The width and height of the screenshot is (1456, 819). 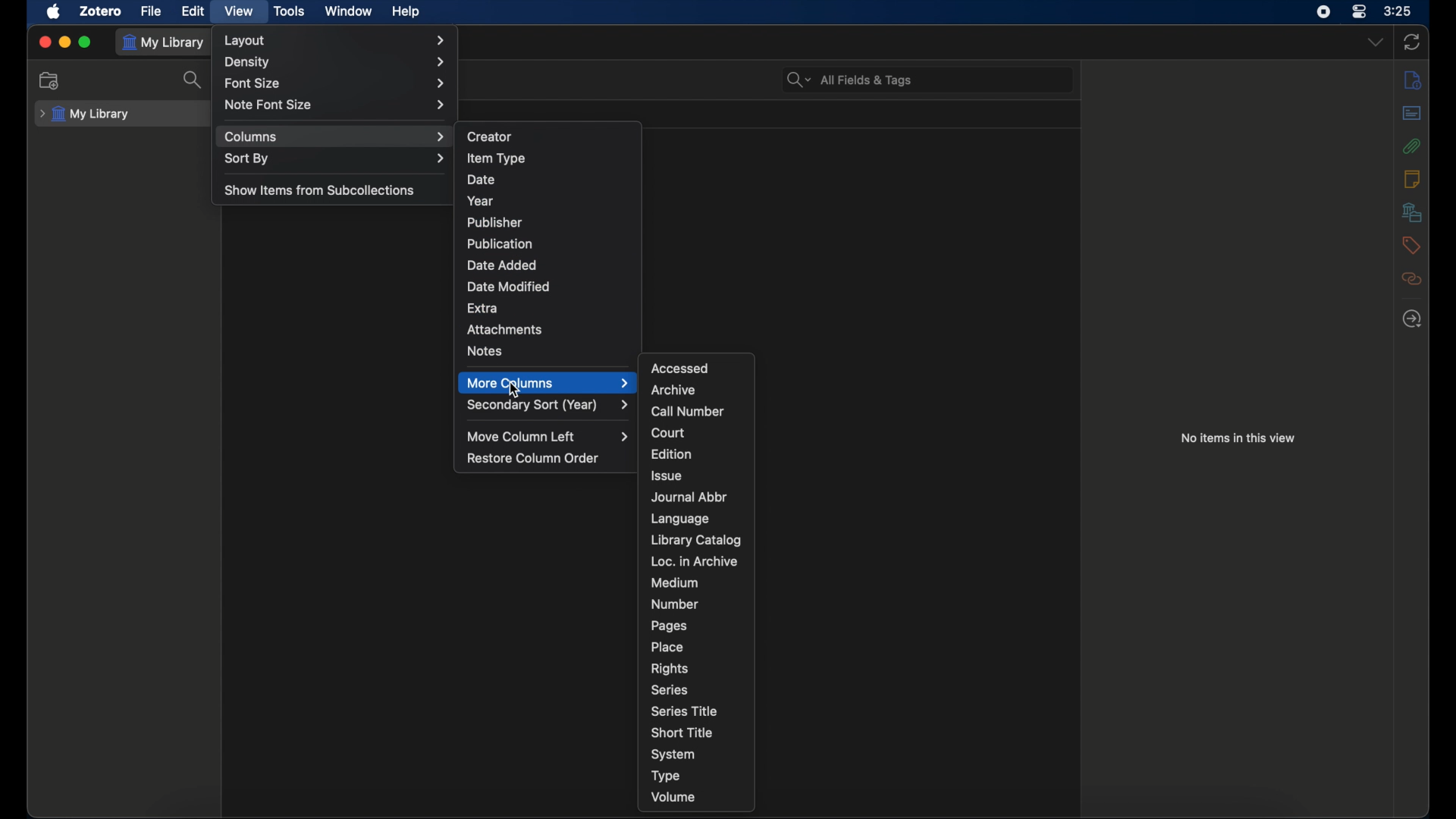 I want to click on date, so click(x=483, y=180).